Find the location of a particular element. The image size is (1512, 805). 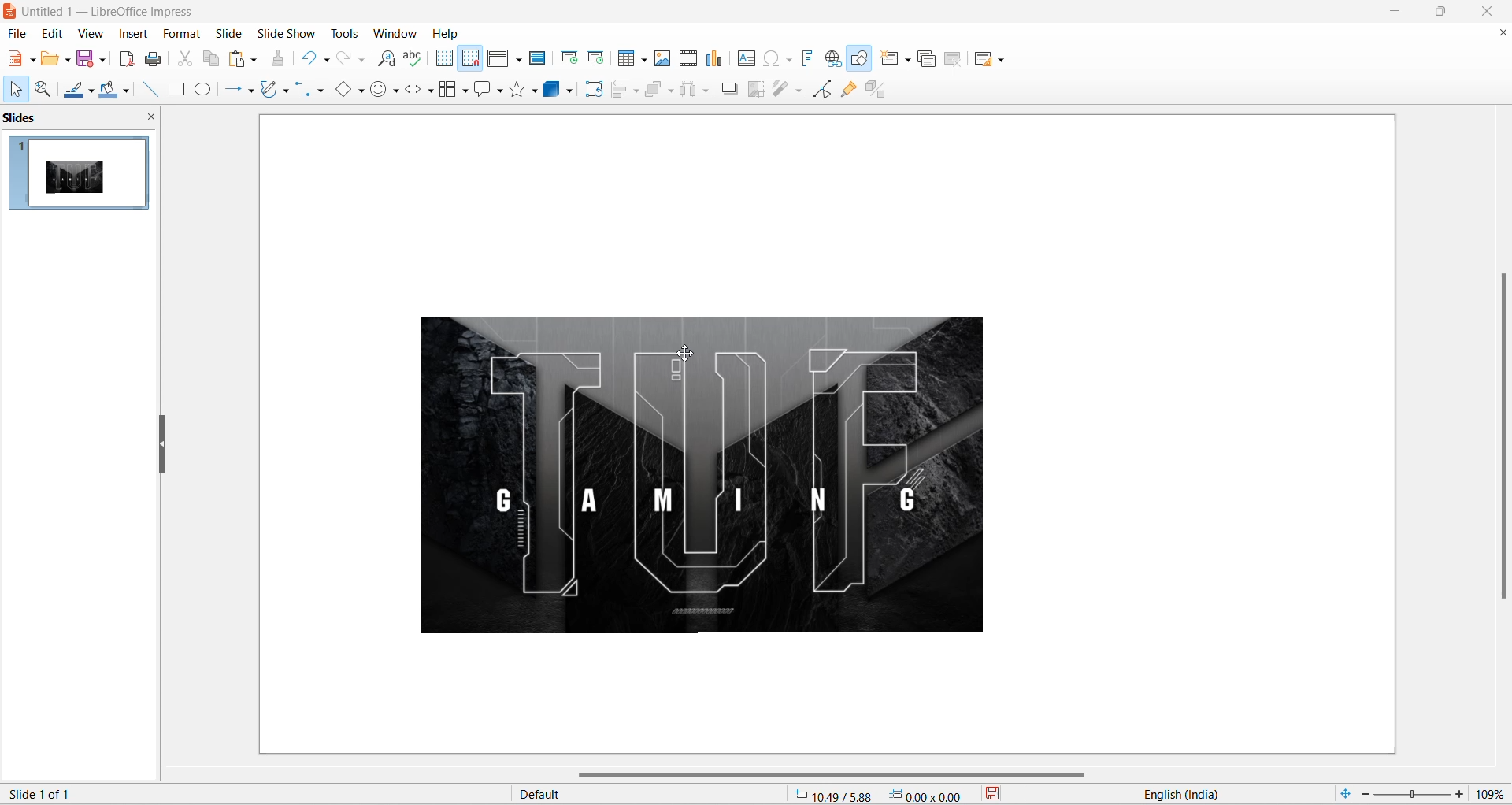

align is located at coordinates (621, 90).